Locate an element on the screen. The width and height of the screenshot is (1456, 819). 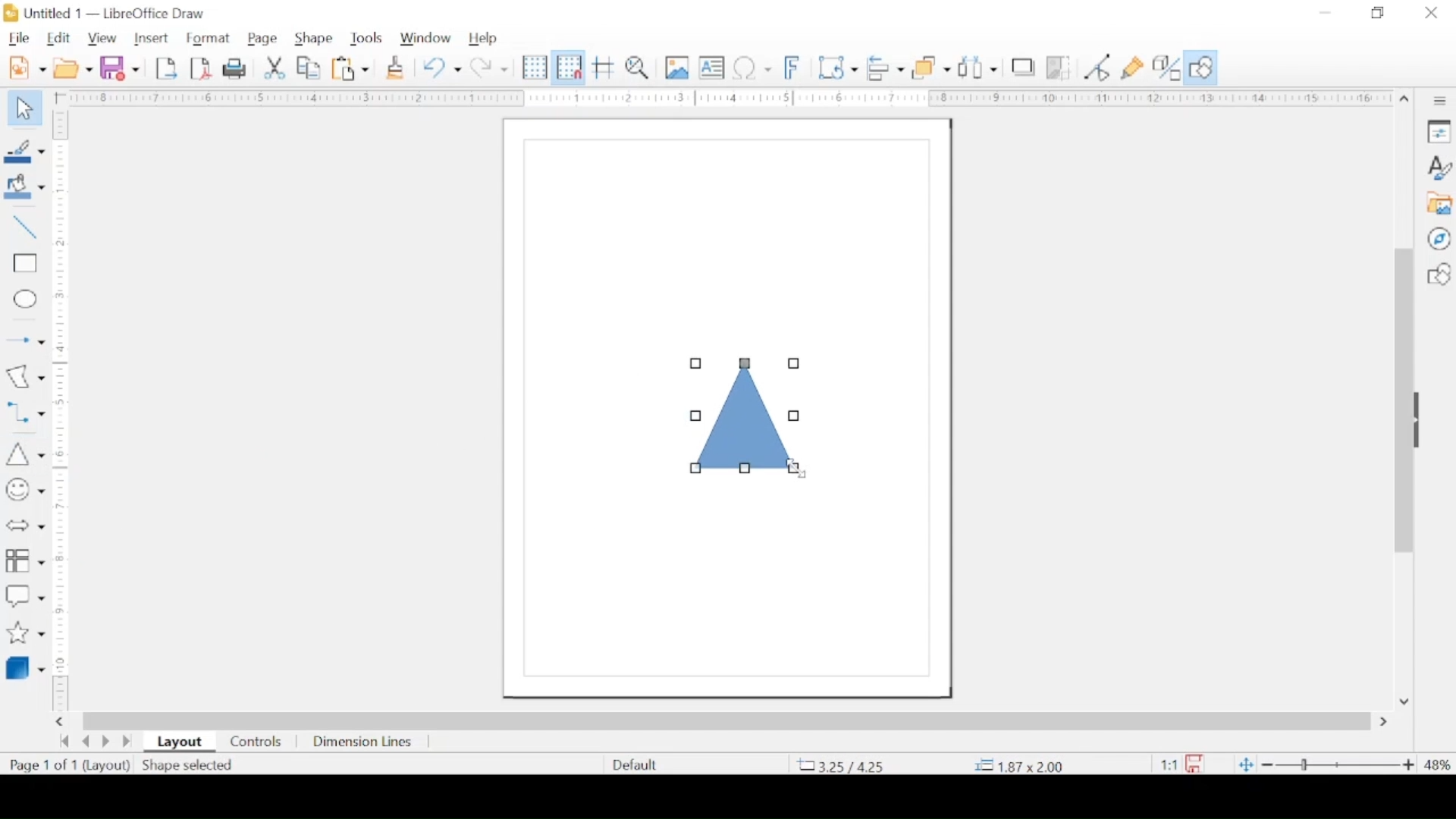
controls is located at coordinates (255, 742).